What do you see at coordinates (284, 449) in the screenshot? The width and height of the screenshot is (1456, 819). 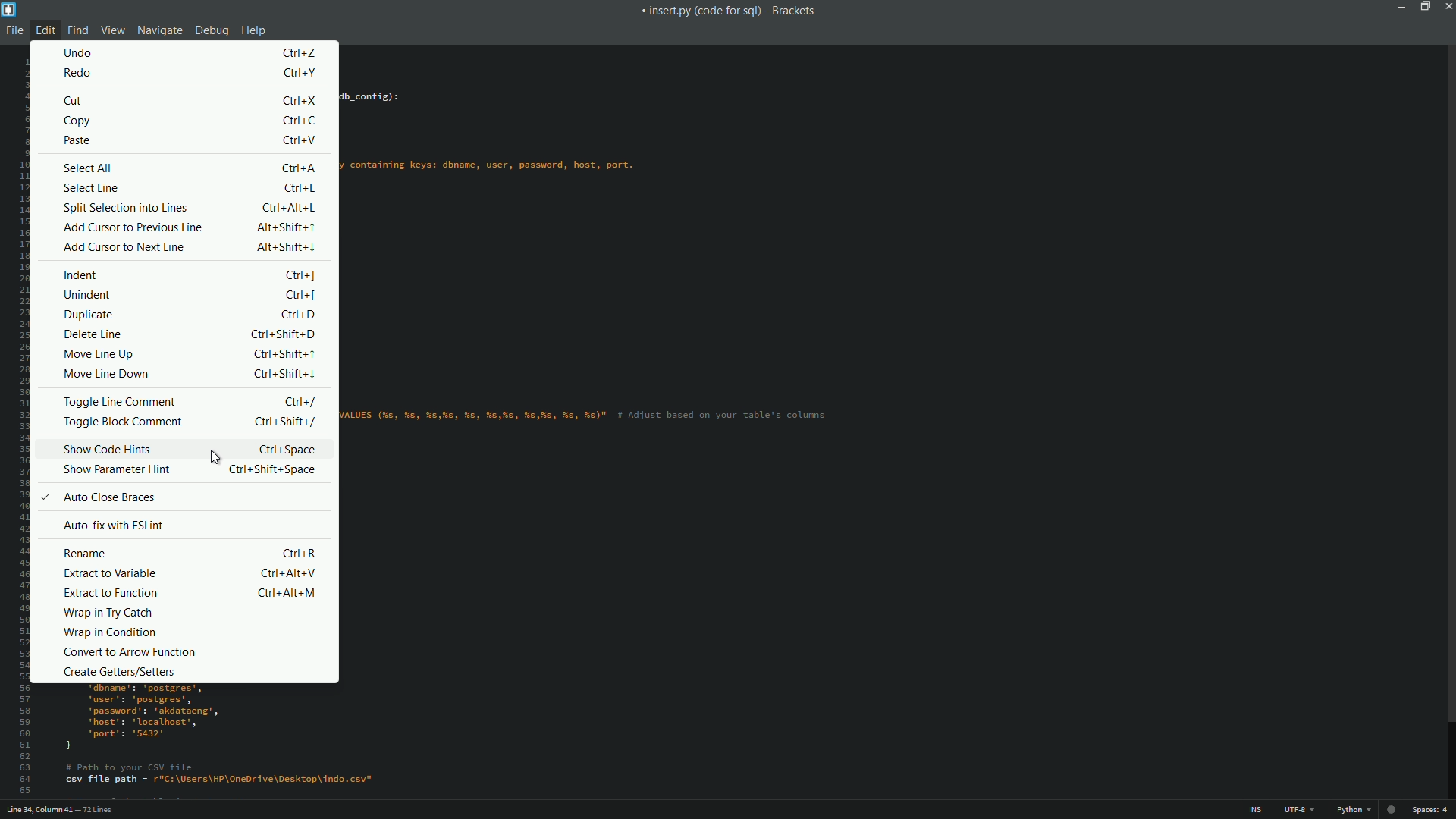 I see `keyboard shortcut` at bounding box center [284, 449].